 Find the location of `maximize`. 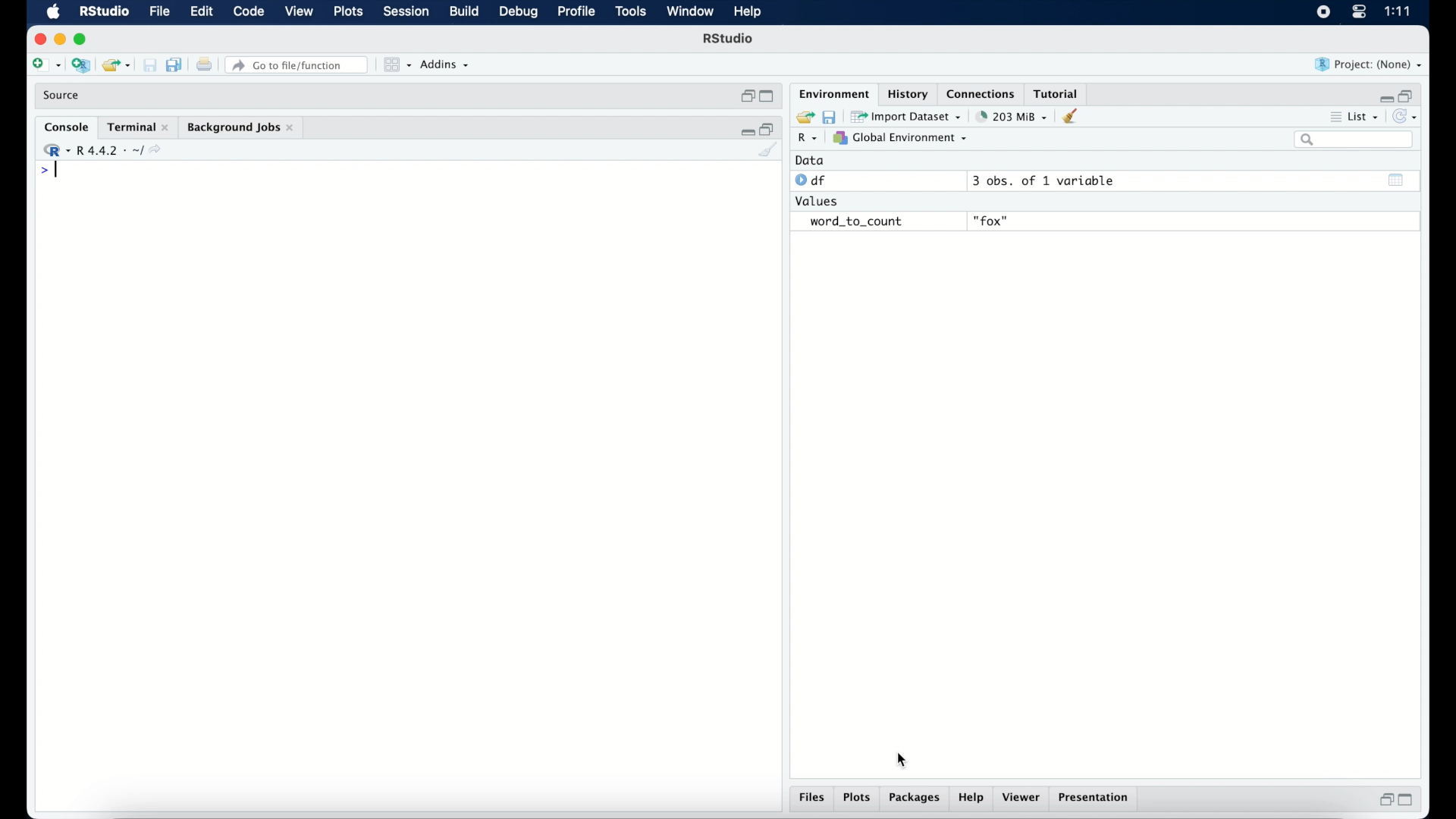

maximize is located at coordinates (769, 97).